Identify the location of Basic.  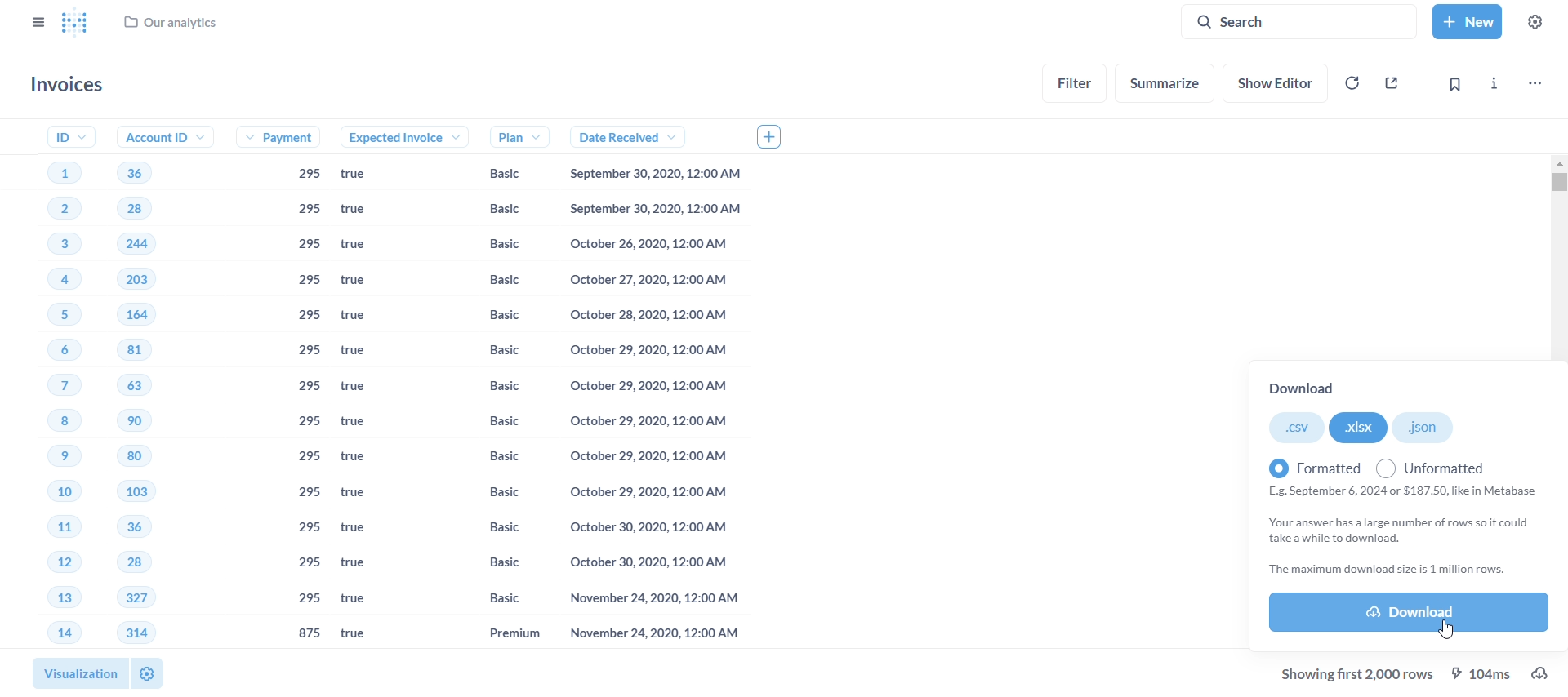
(497, 385).